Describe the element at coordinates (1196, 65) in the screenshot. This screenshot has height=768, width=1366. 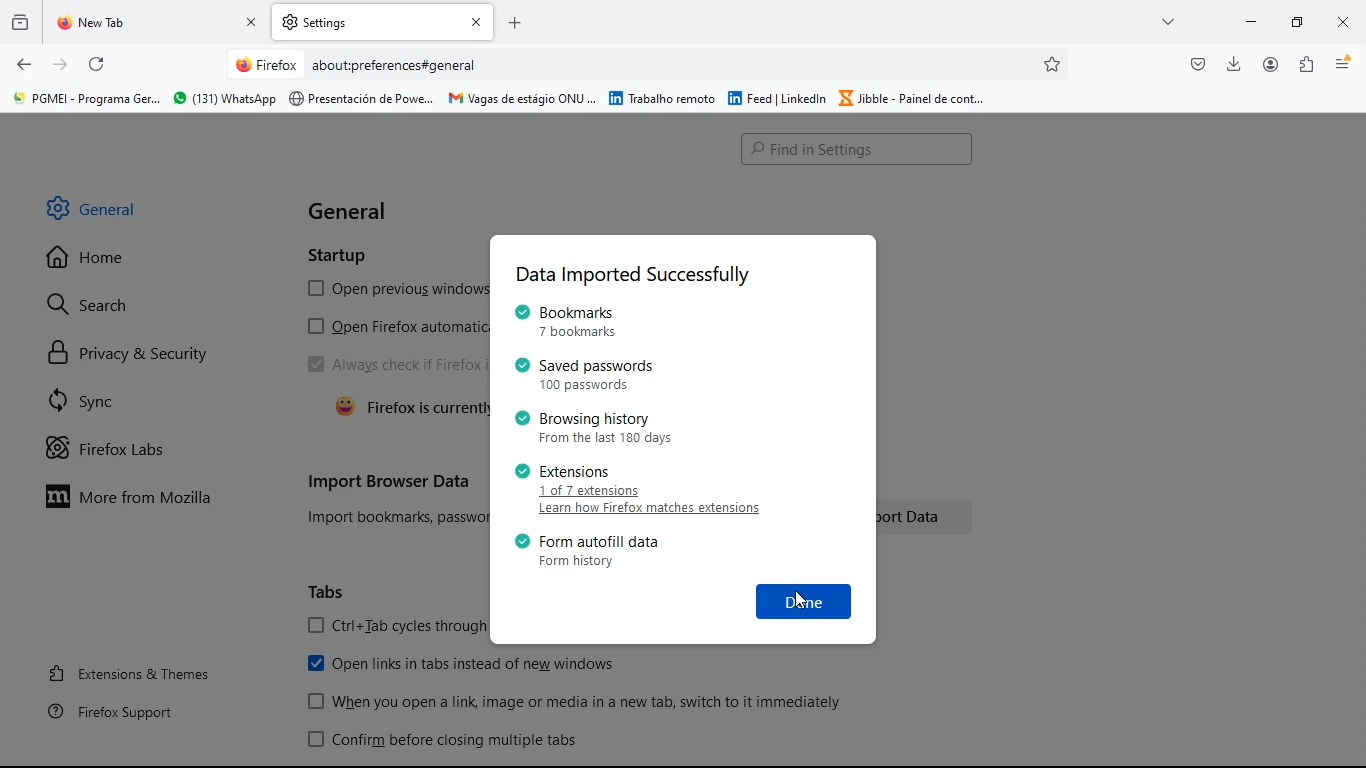
I see `pocket` at that location.